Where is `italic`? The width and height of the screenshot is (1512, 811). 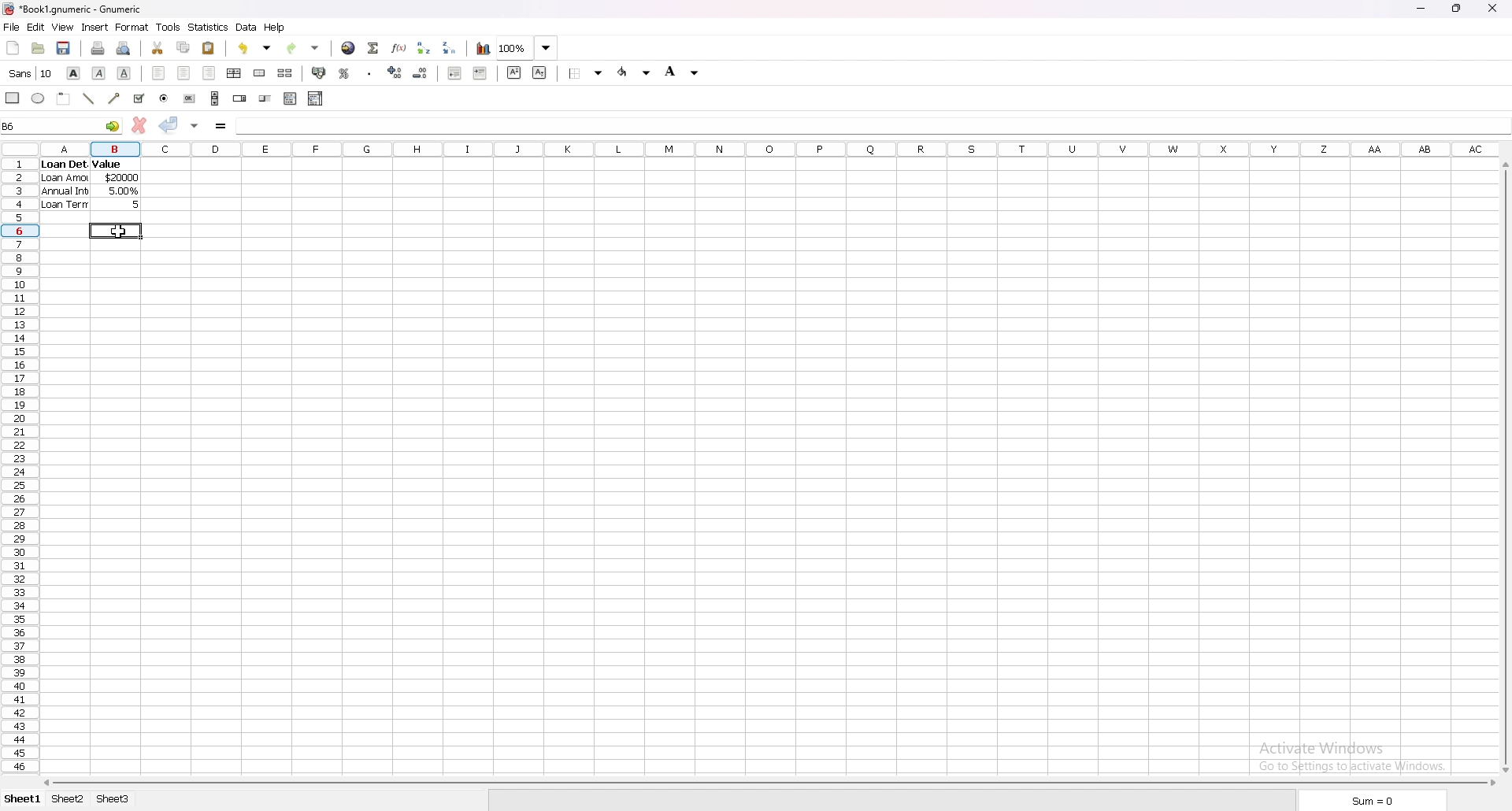 italic is located at coordinates (98, 73).